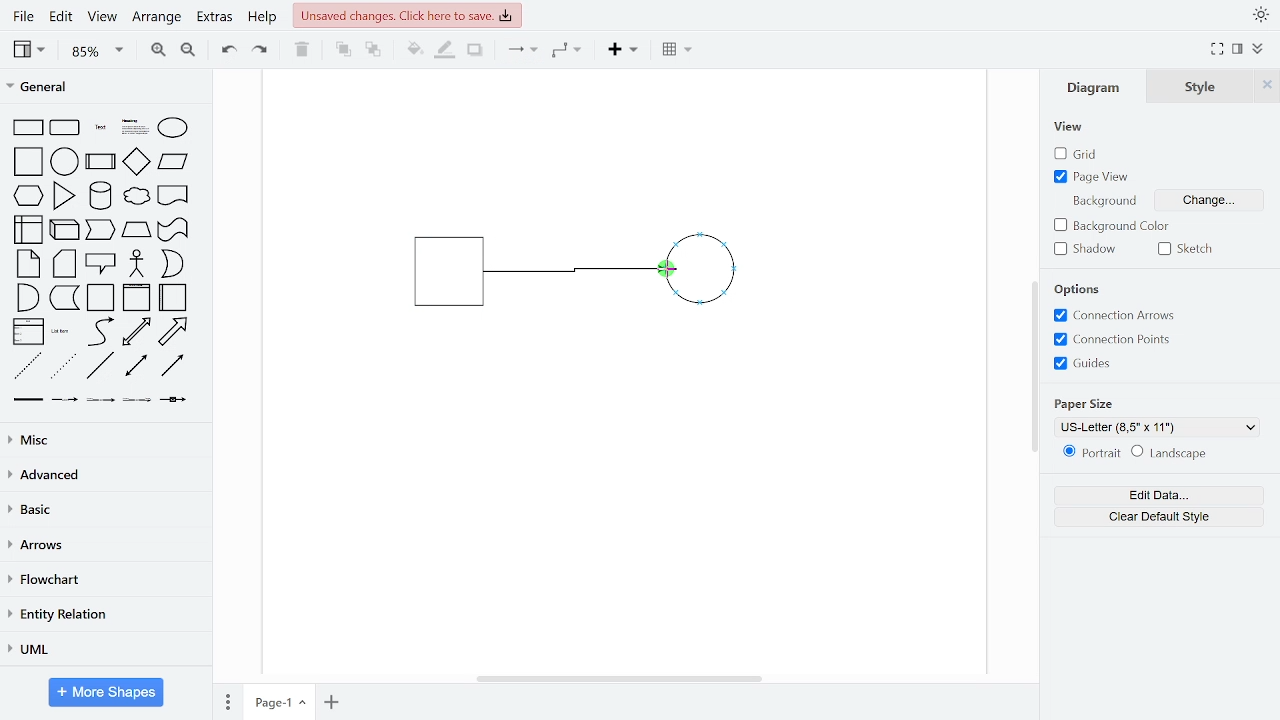 The image size is (1280, 720). I want to click on connector, so click(522, 51).